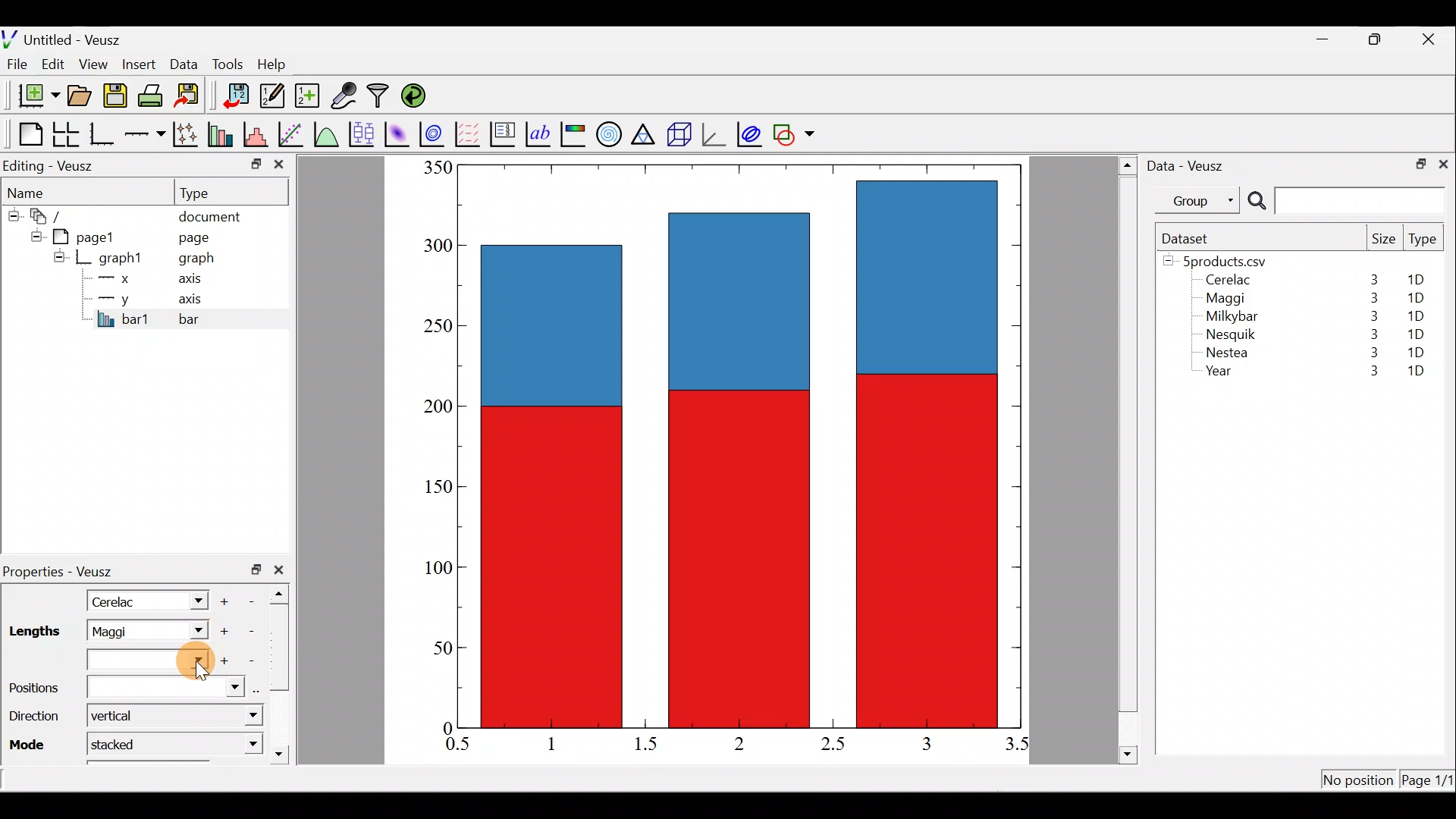  What do you see at coordinates (196, 260) in the screenshot?
I see `graph` at bounding box center [196, 260].